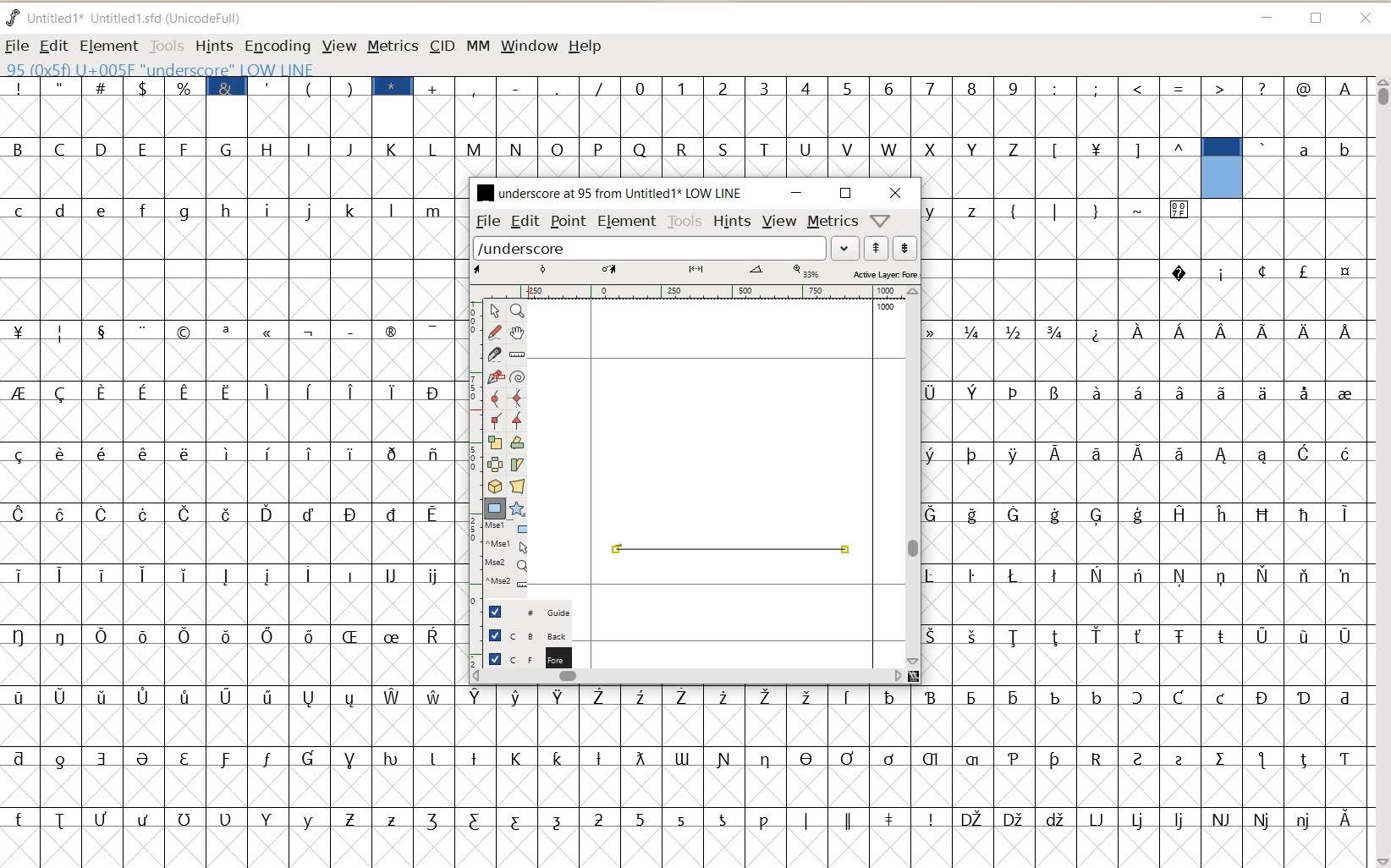 This screenshot has height=868, width=1391. What do you see at coordinates (913, 100) in the screenshot?
I see `GLYPHY CHARACTERS & NUMBERS` at bounding box center [913, 100].